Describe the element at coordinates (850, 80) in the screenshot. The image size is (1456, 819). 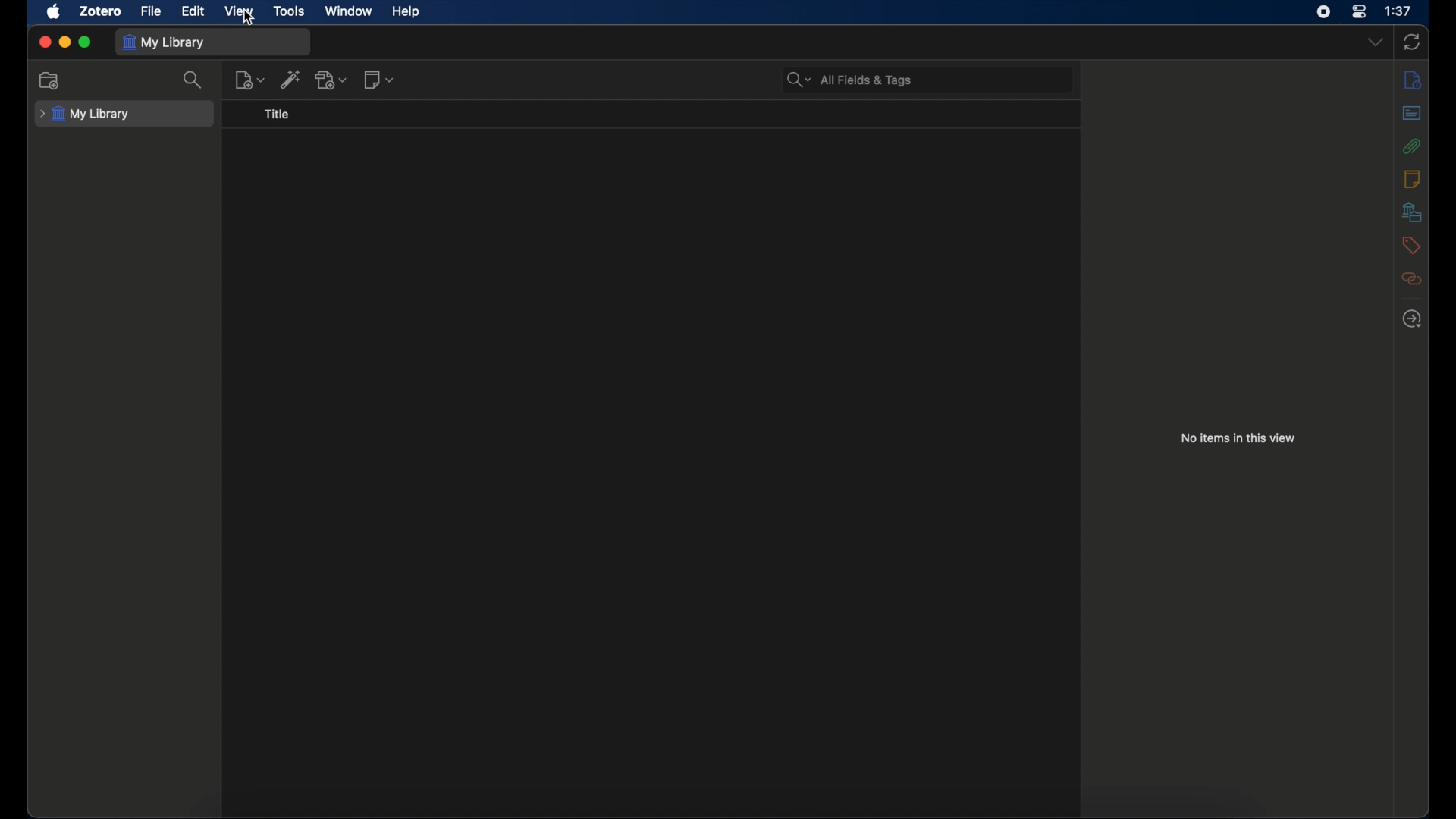
I see `search bar` at that location.